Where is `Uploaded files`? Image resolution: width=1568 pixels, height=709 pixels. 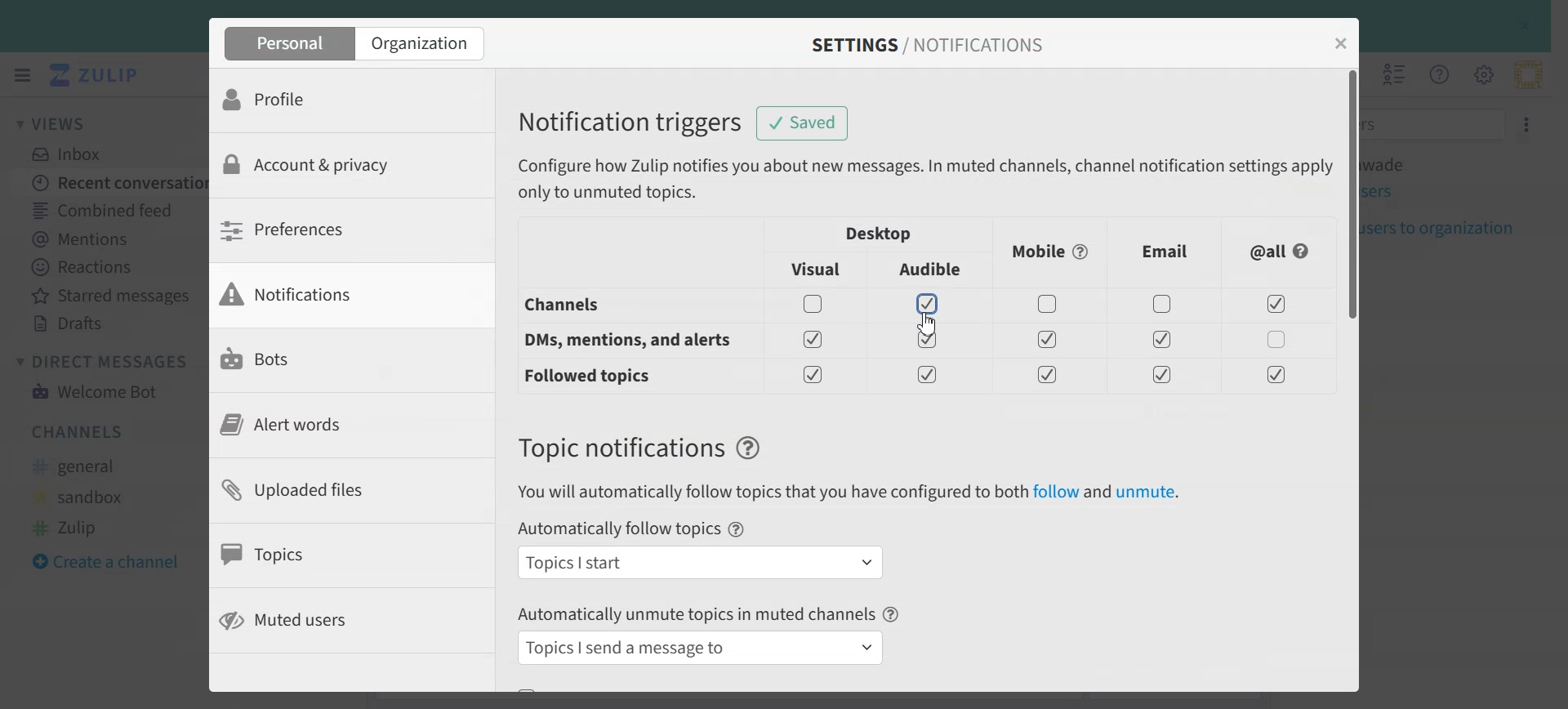
Uploaded files is located at coordinates (332, 488).